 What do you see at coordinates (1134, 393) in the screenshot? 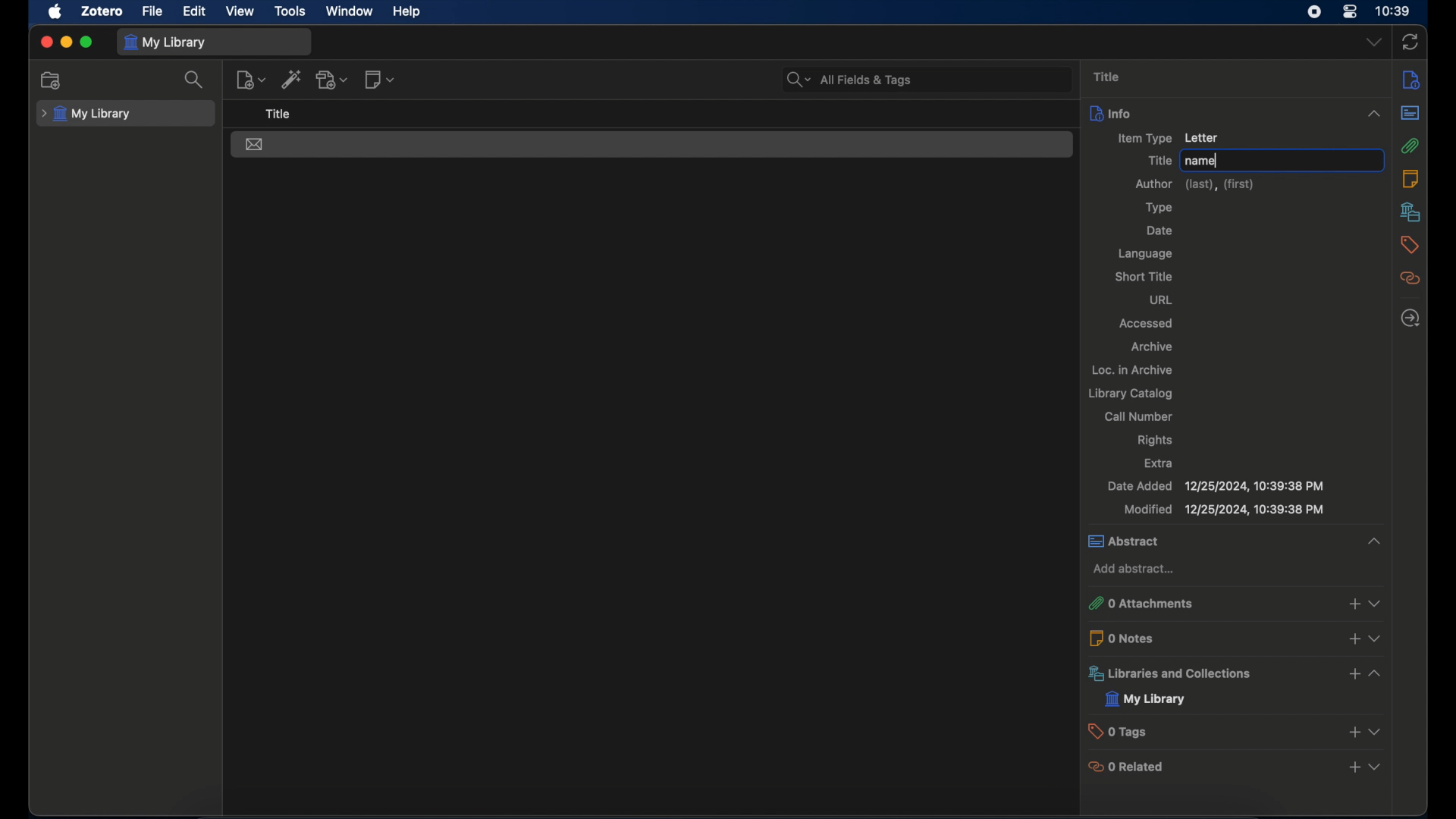
I see `library catalog` at bounding box center [1134, 393].